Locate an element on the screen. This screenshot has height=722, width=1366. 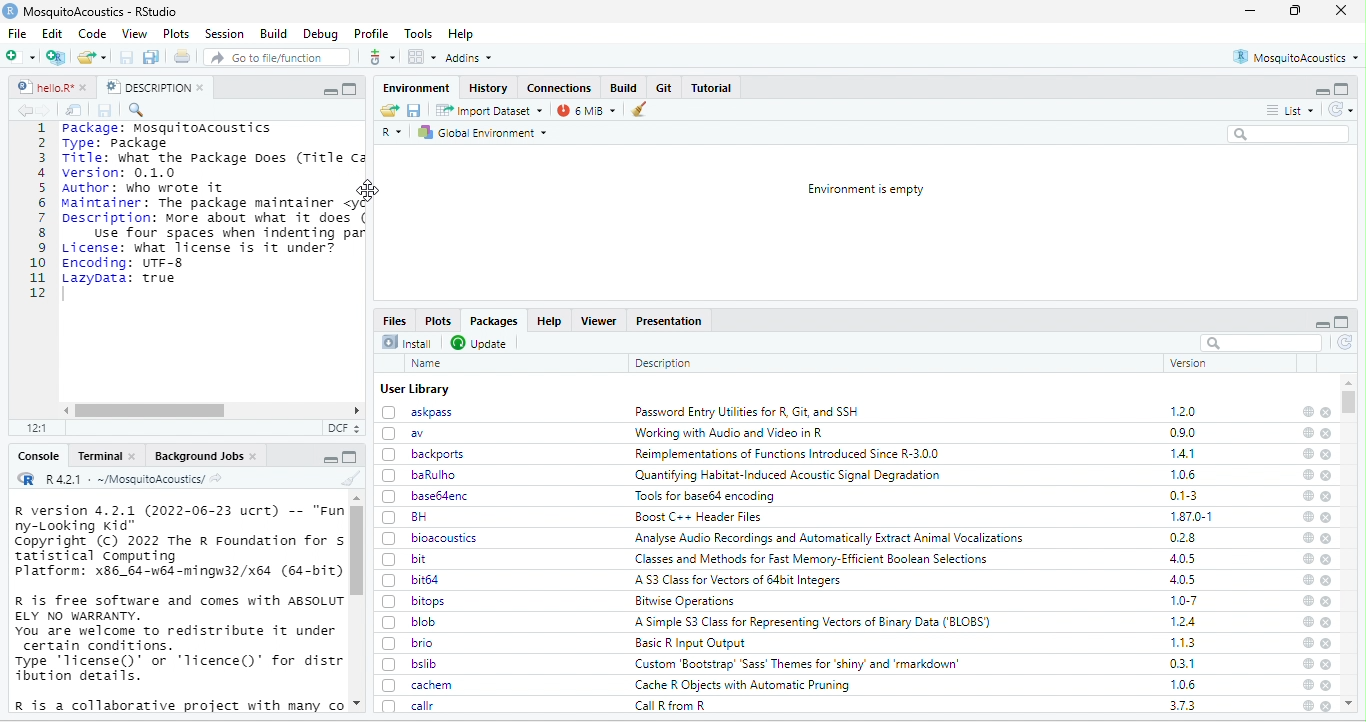
1.0.6 is located at coordinates (1183, 684).